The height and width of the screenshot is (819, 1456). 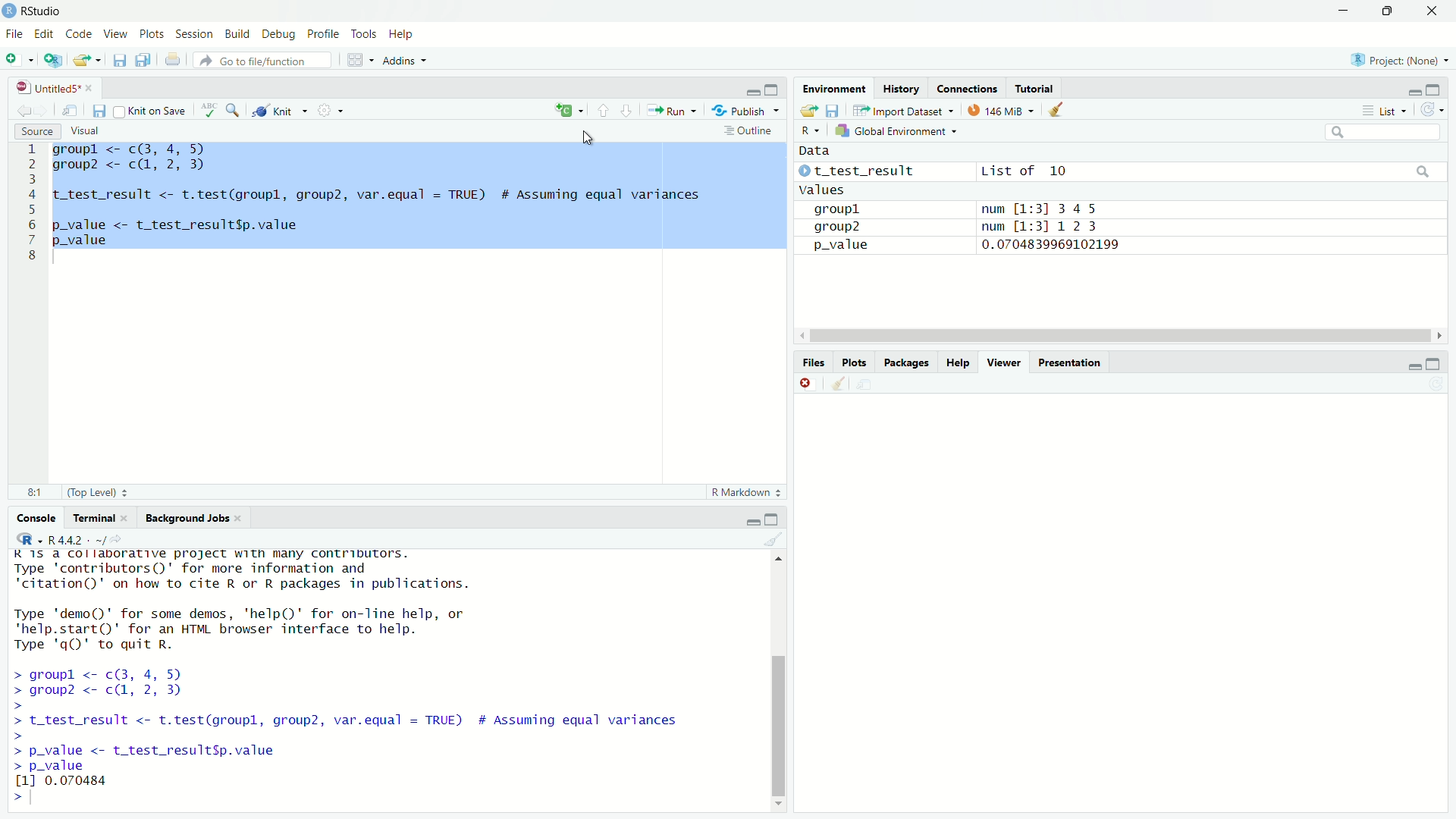 I want to click on re-run previous code, so click(x=568, y=111).